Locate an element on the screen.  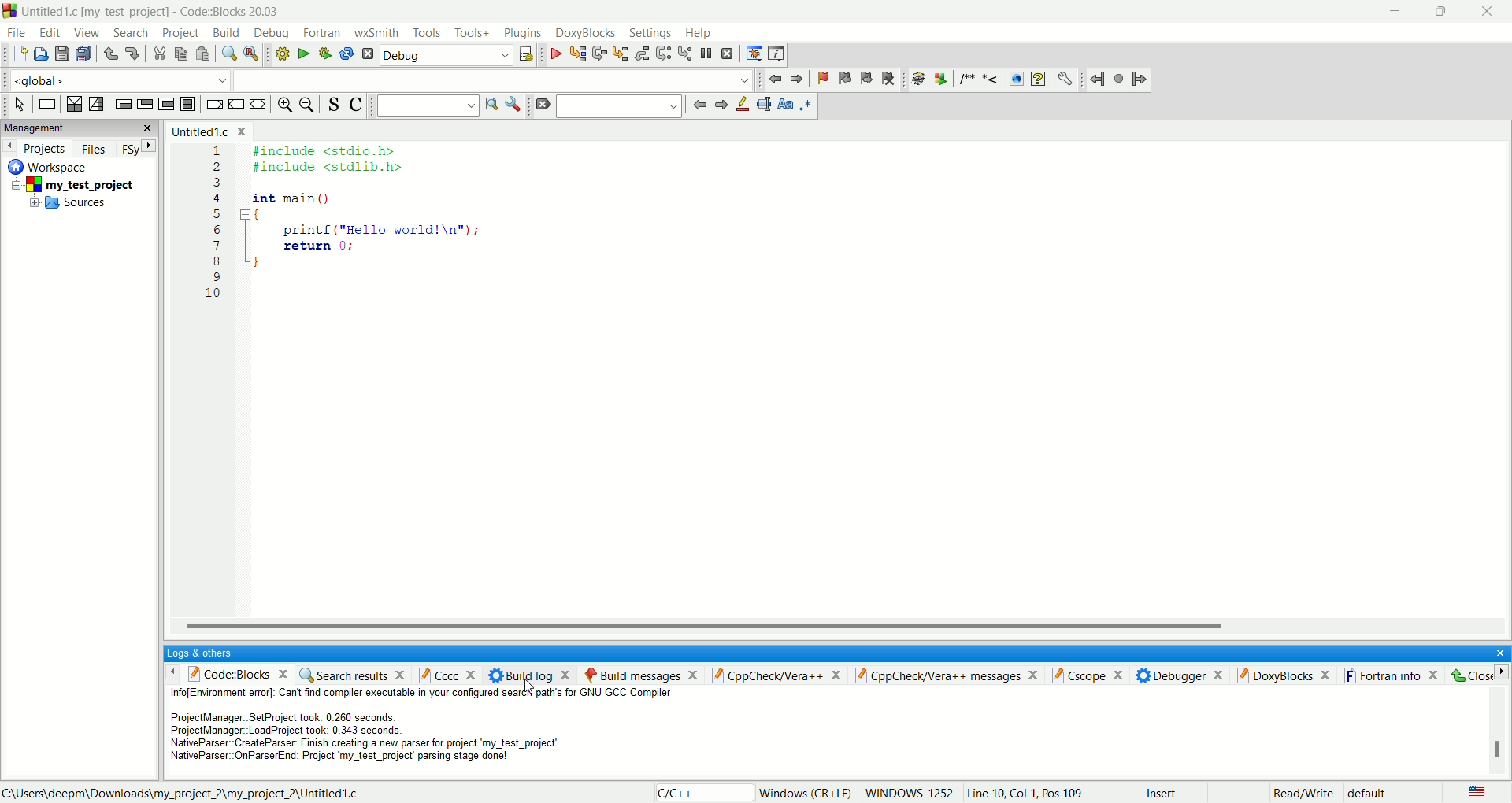
stop debugger is located at coordinates (728, 54).